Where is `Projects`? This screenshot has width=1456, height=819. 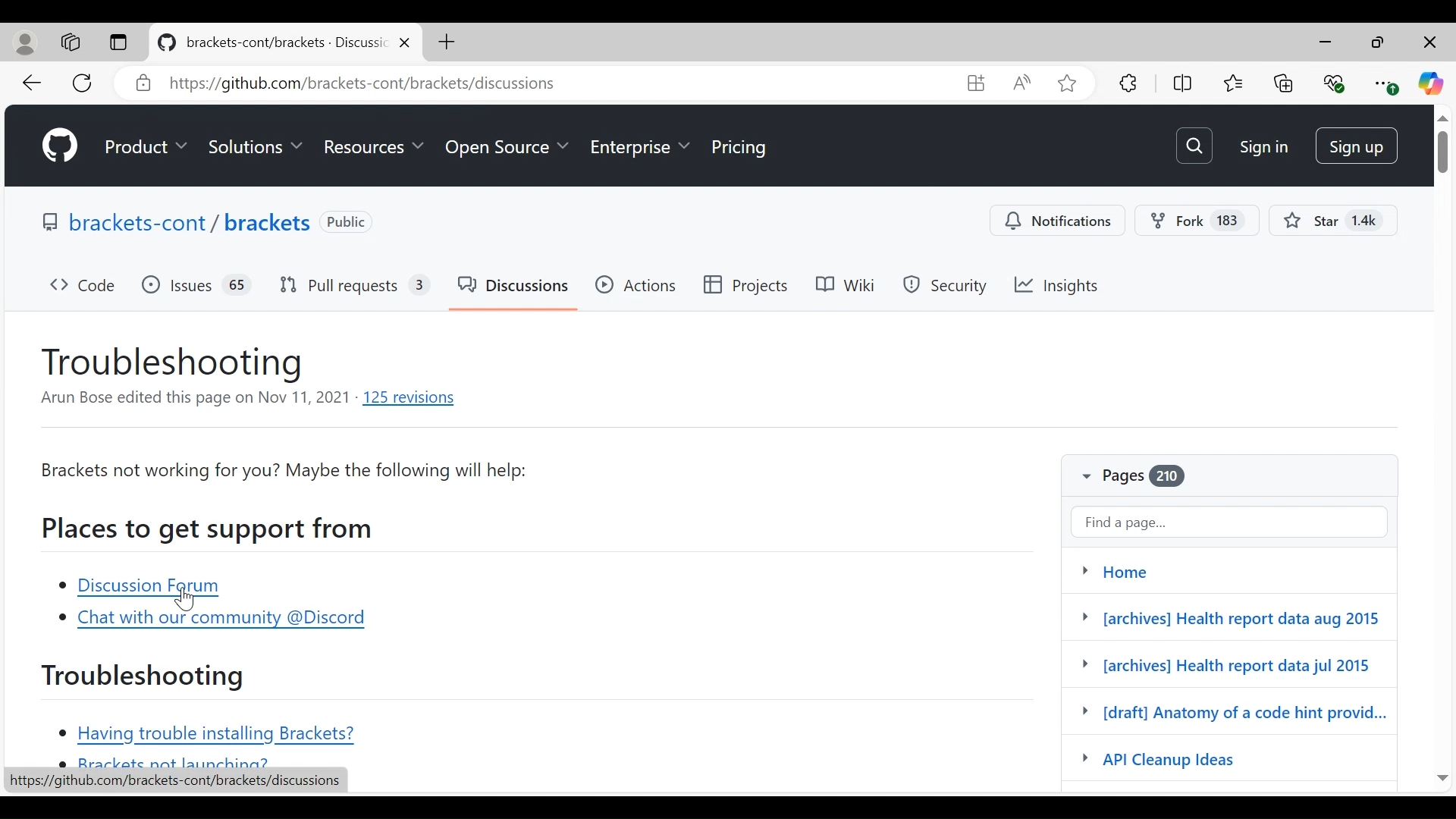 Projects is located at coordinates (750, 286).